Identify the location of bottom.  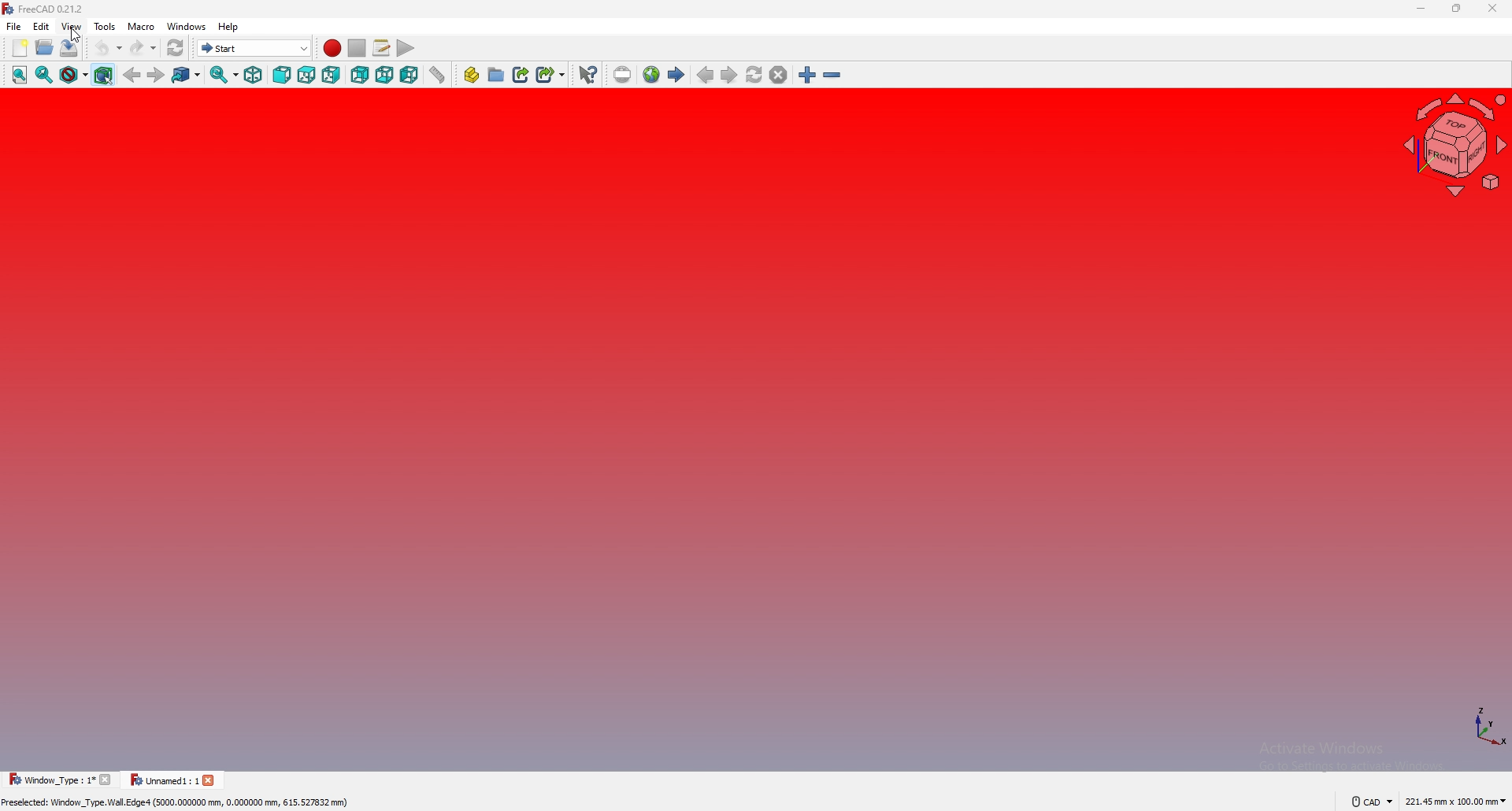
(385, 74).